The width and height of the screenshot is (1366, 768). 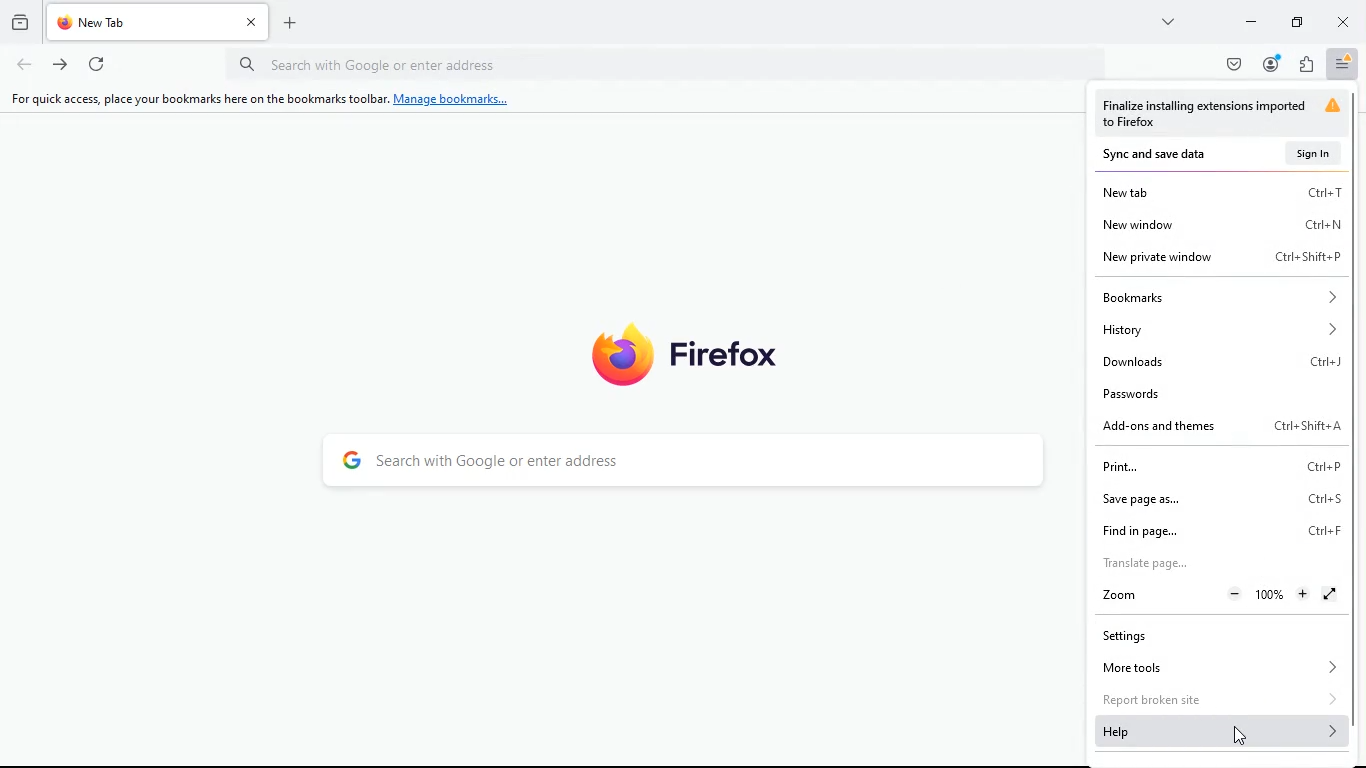 I want to click on For quick access, place your bookmarks here on the bookmarks toolbar. Manage bookmarks..., so click(x=259, y=99).